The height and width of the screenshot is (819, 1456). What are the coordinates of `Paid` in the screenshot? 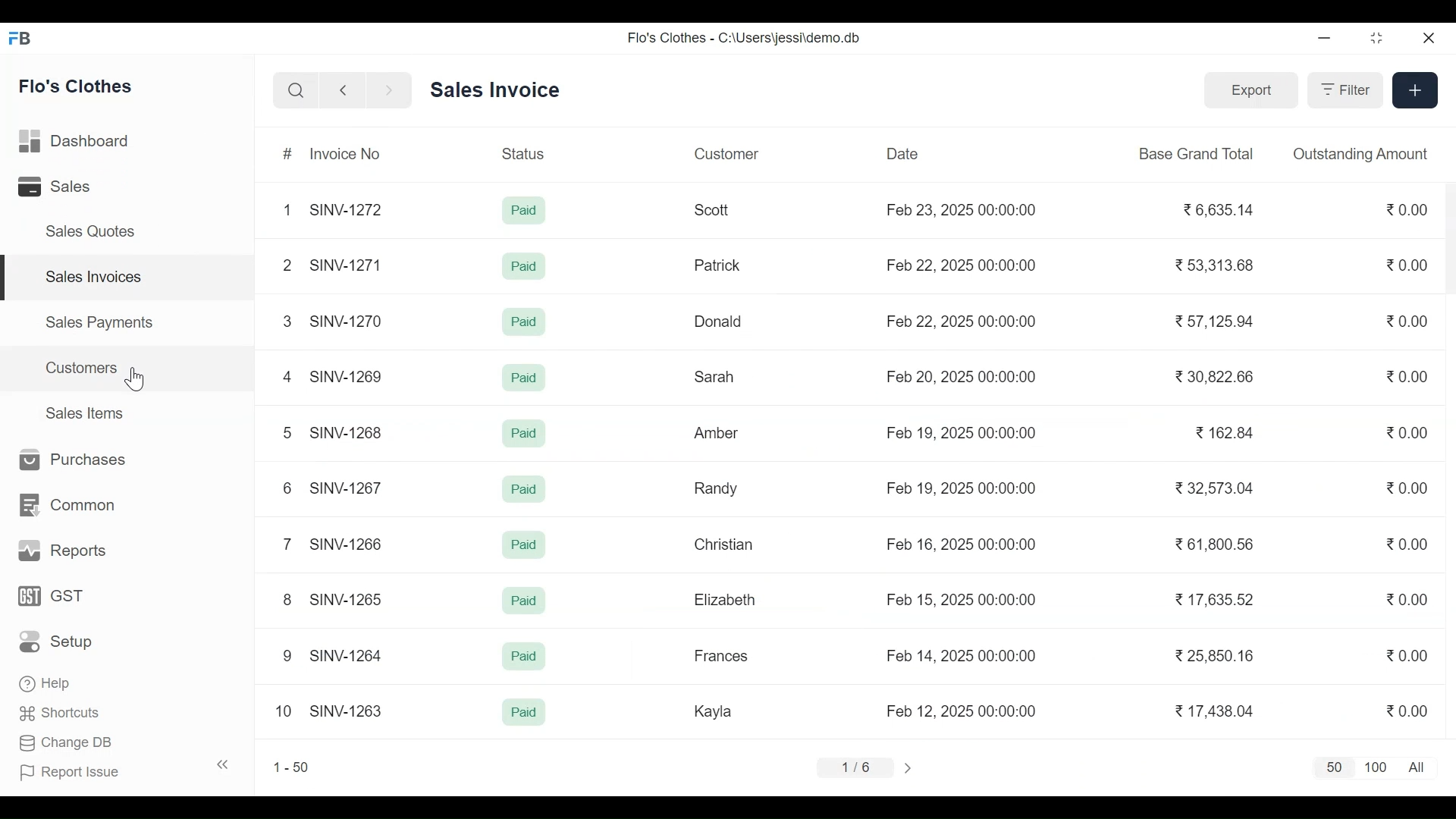 It's located at (526, 265).